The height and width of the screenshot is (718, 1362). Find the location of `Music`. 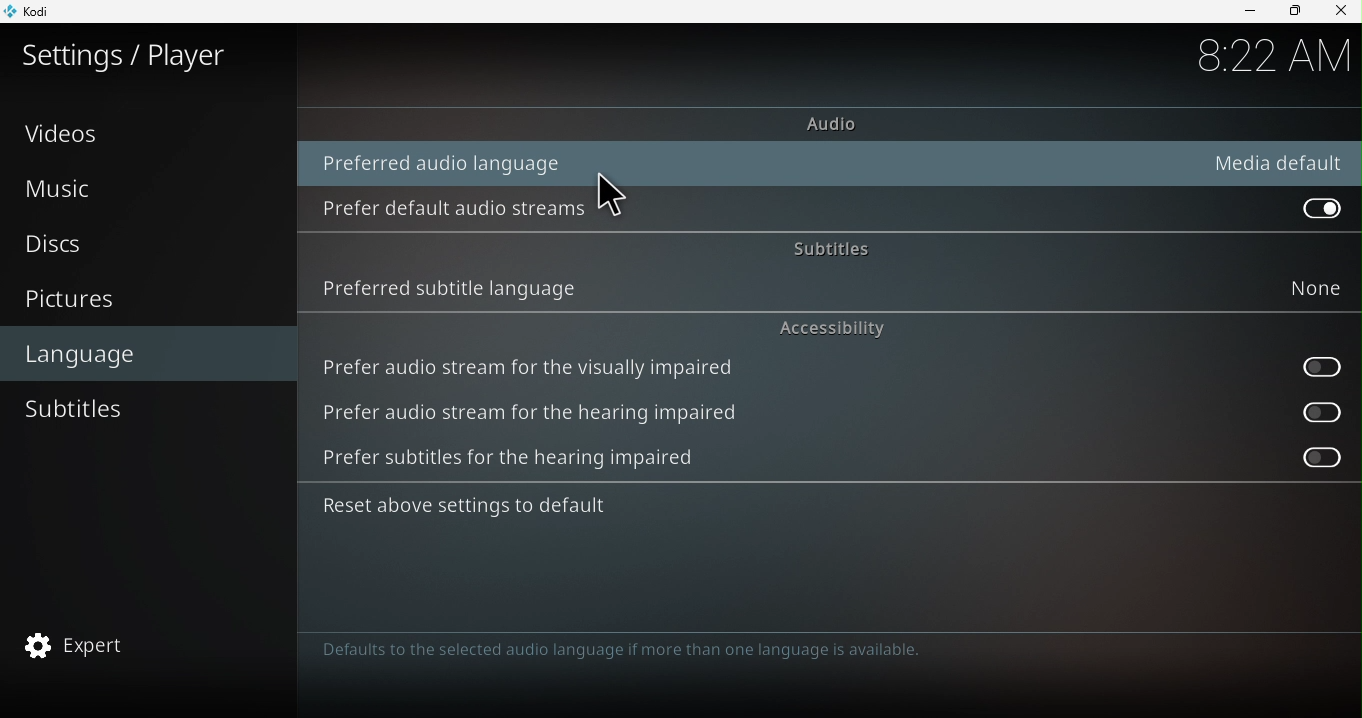

Music is located at coordinates (146, 188).